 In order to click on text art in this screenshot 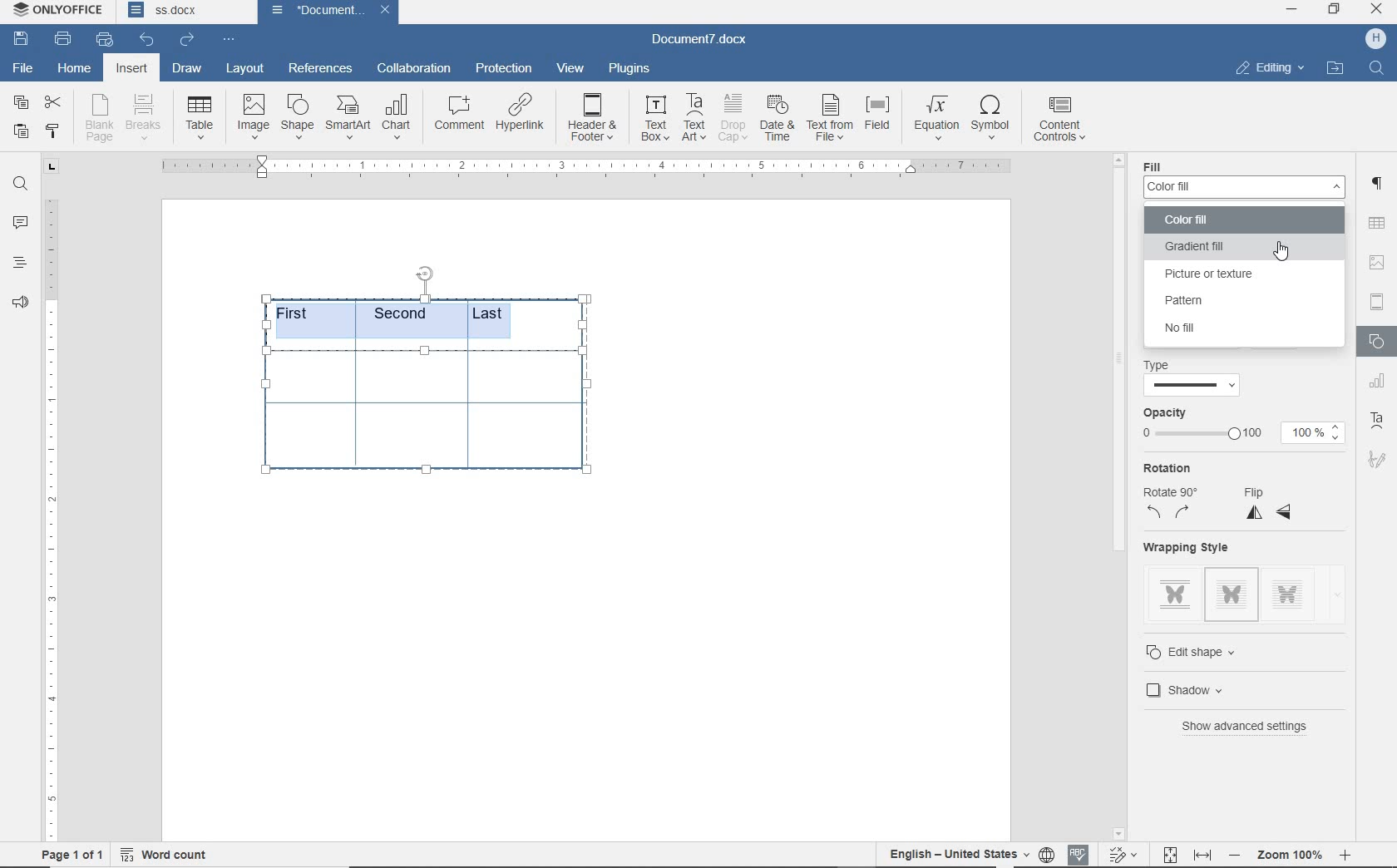, I will do `click(694, 117)`.